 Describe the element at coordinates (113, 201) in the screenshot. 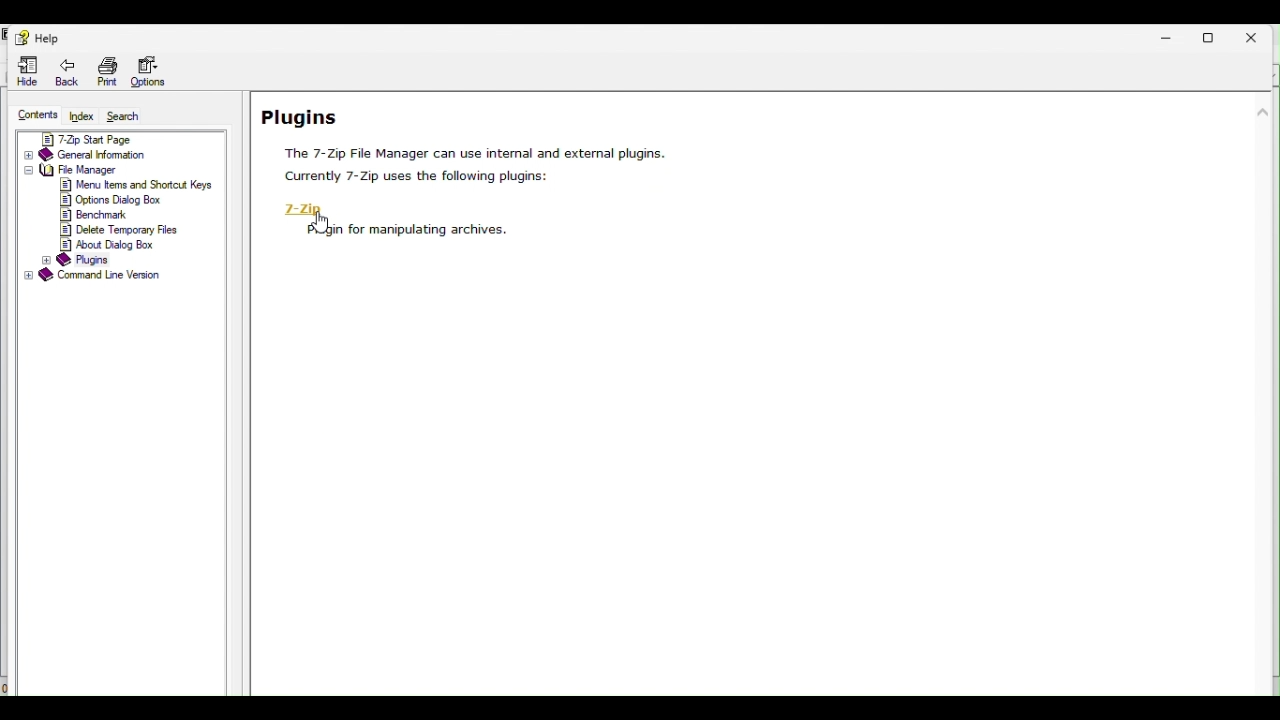

I see `options` at that location.